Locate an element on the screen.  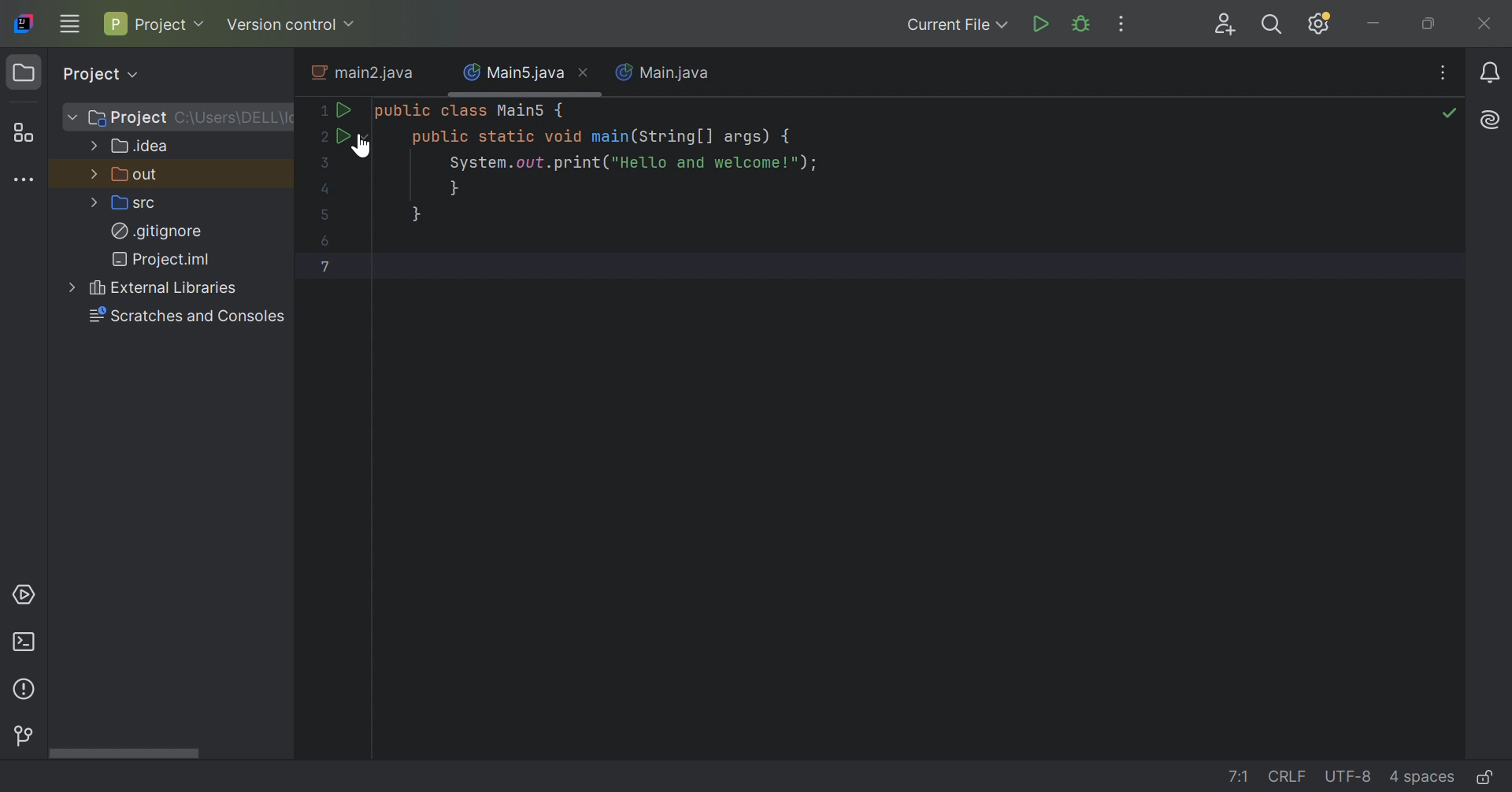
Search everywhere is located at coordinates (1273, 25).